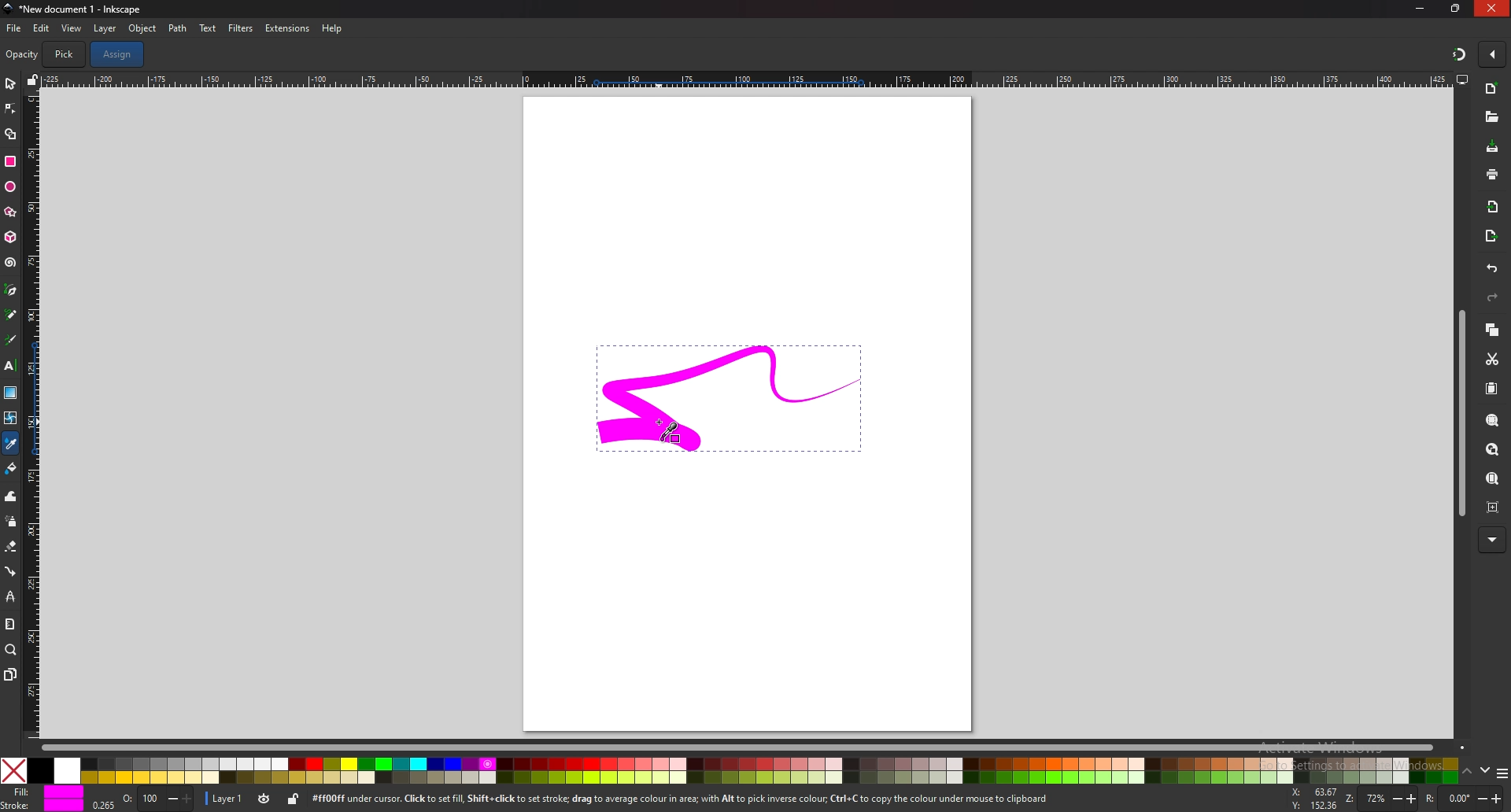  Describe the element at coordinates (1456, 9) in the screenshot. I see `resize` at that location.